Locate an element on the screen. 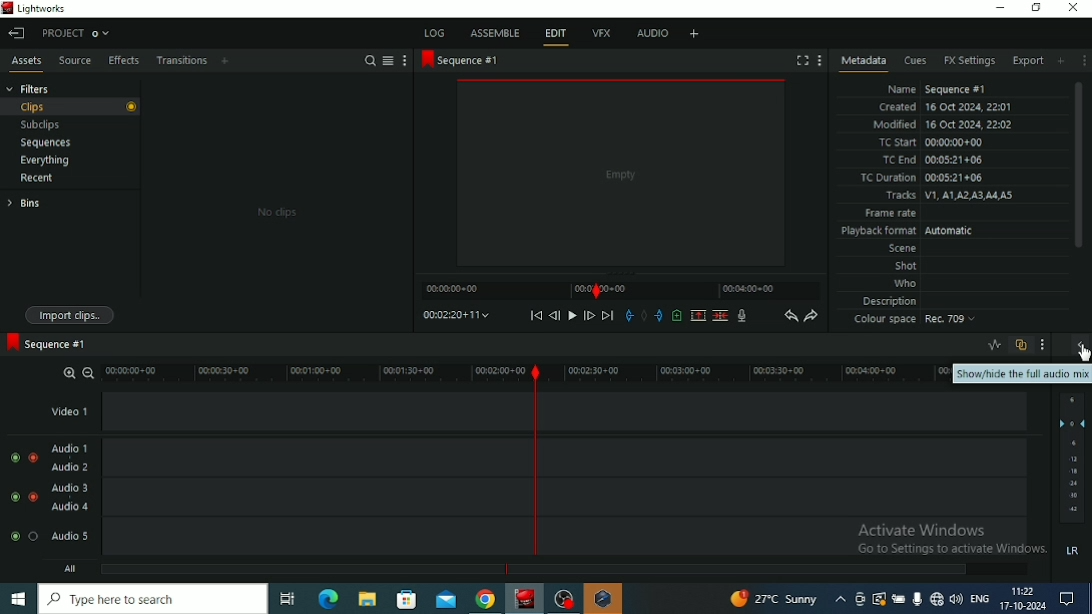  Solo this track is located at coordinates (33, 536).